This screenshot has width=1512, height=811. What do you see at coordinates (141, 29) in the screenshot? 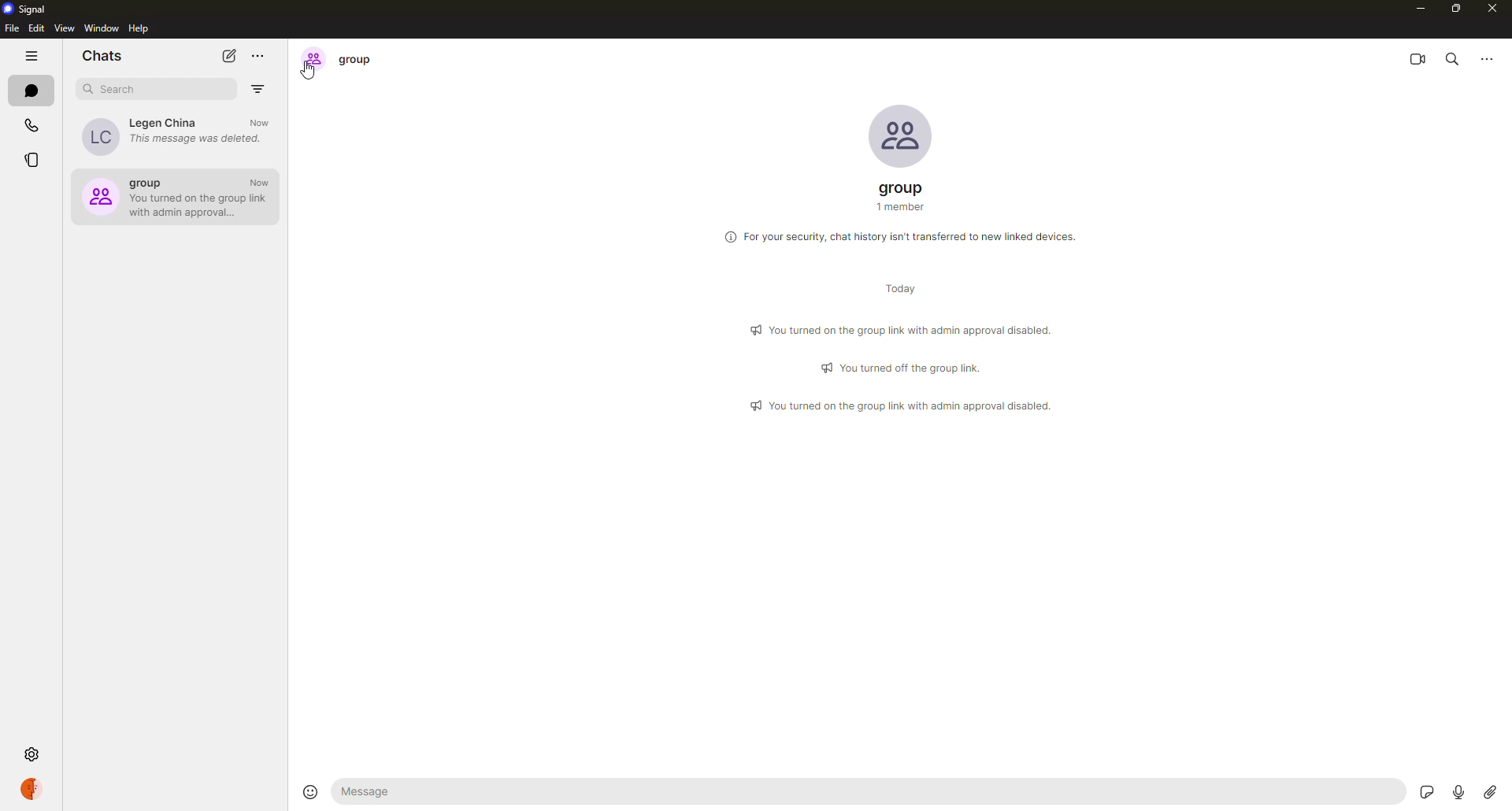
I see `help` at bounding box center [141, 29].